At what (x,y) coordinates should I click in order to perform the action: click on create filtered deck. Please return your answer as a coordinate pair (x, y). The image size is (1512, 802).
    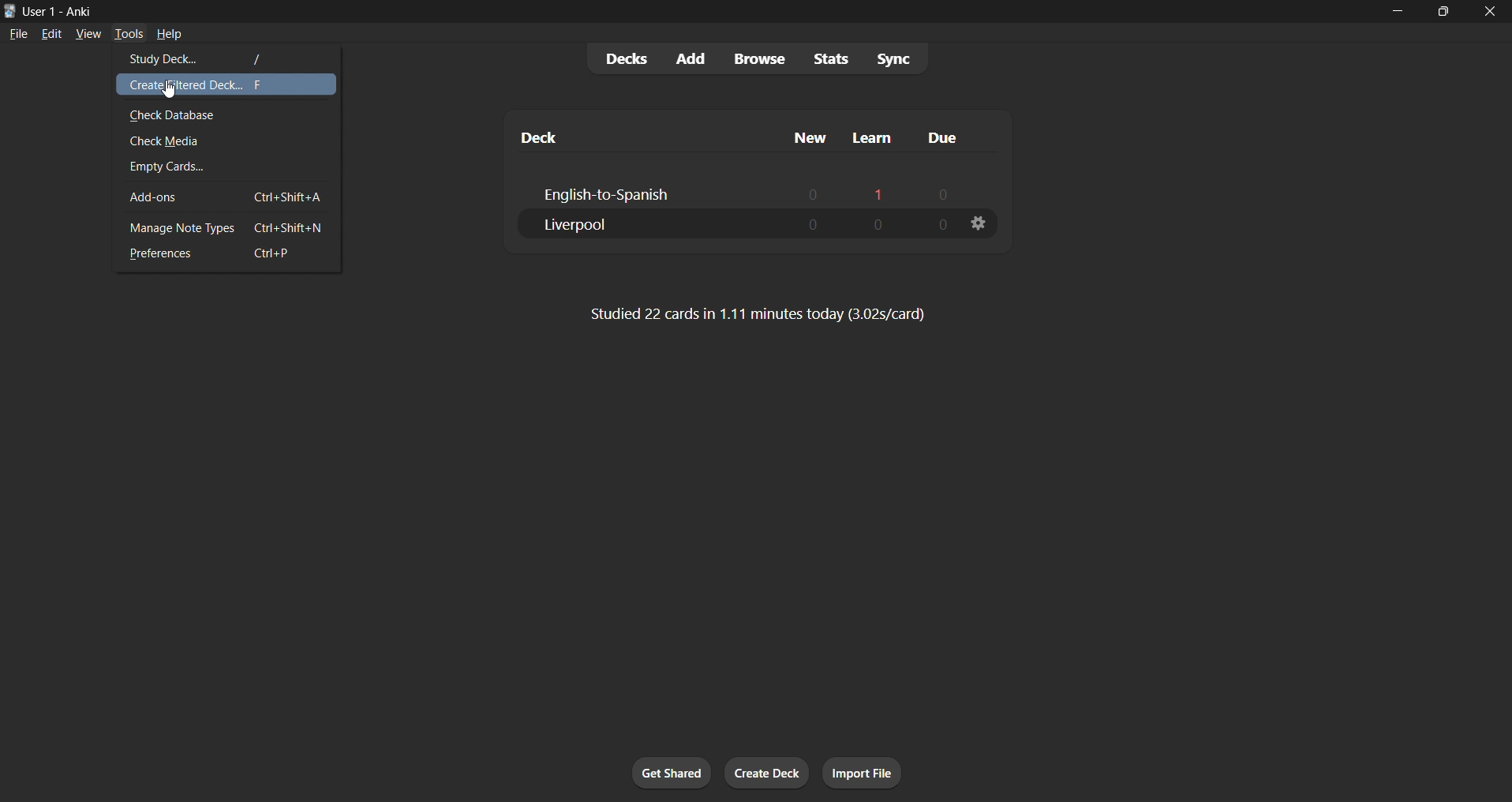
    Looking at the image, I should click on (224, 84).